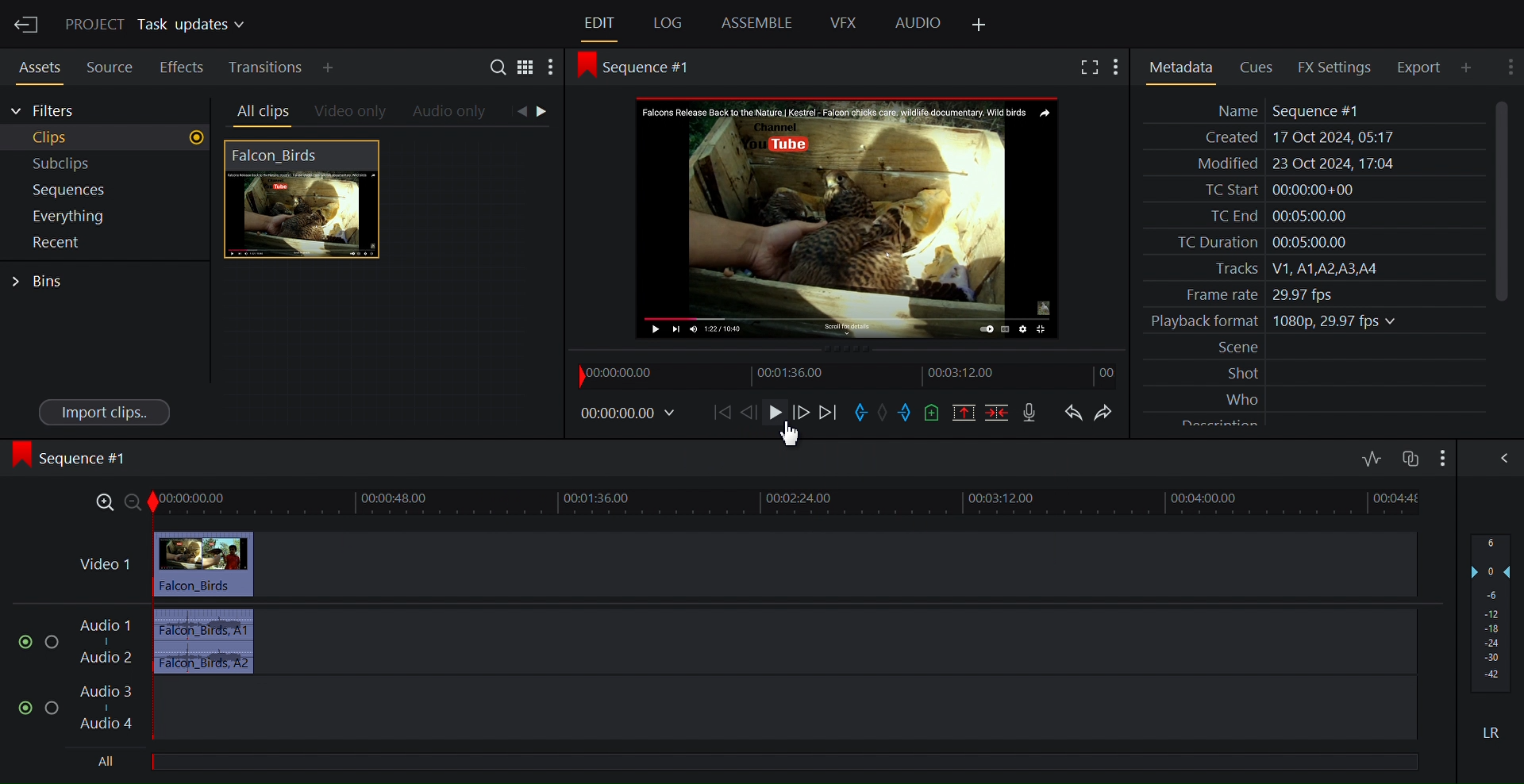 Image resolution: width=1524 pixels, height=784 pixels. Describe the element at coordinates (802, 414) in the screenshot. I see `Nudge one frame back` at that location.